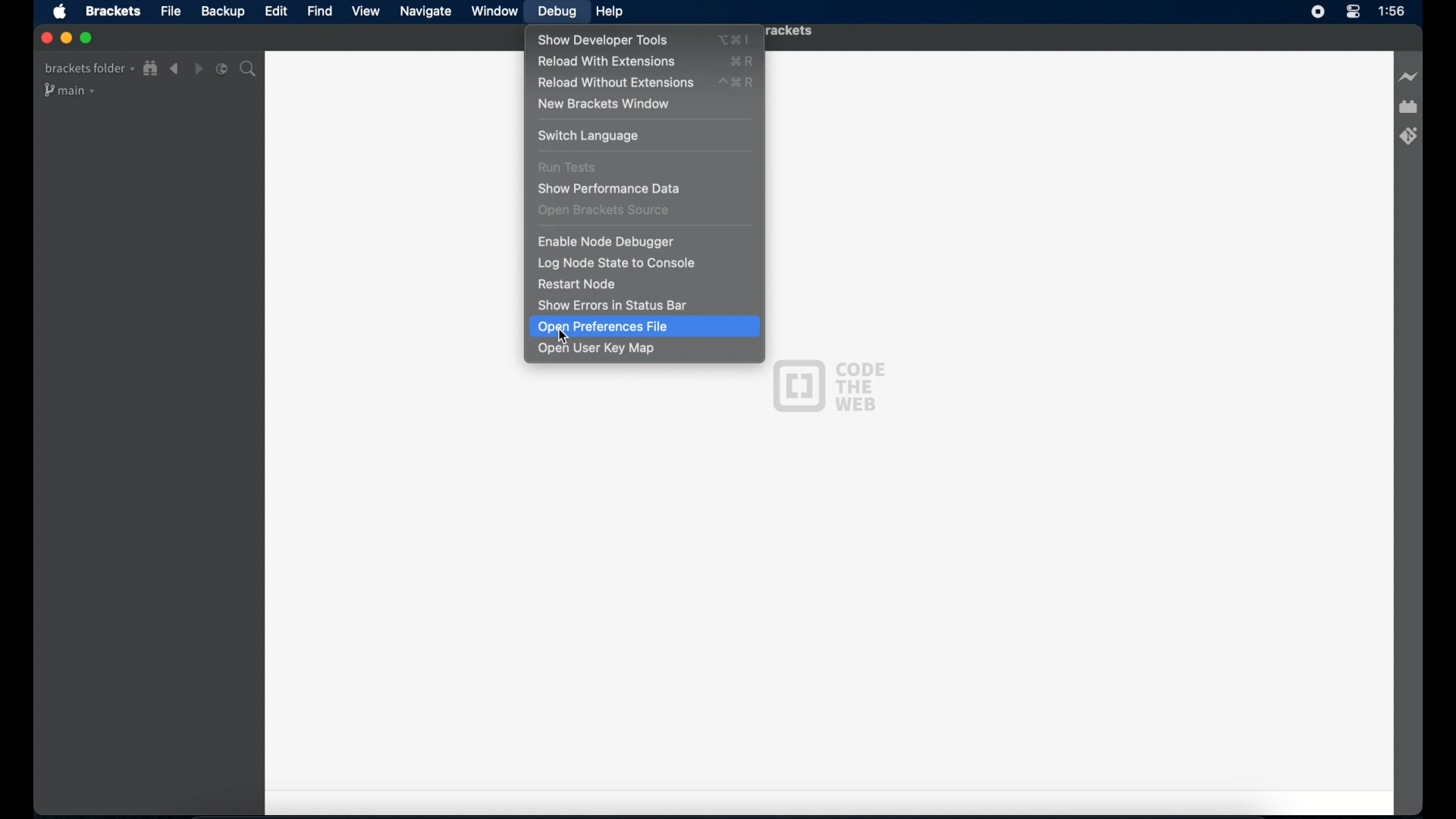  What do you see at coordinates (87, 39) in the screenshot?
I see `maximize` at bounding box center [87, 39].